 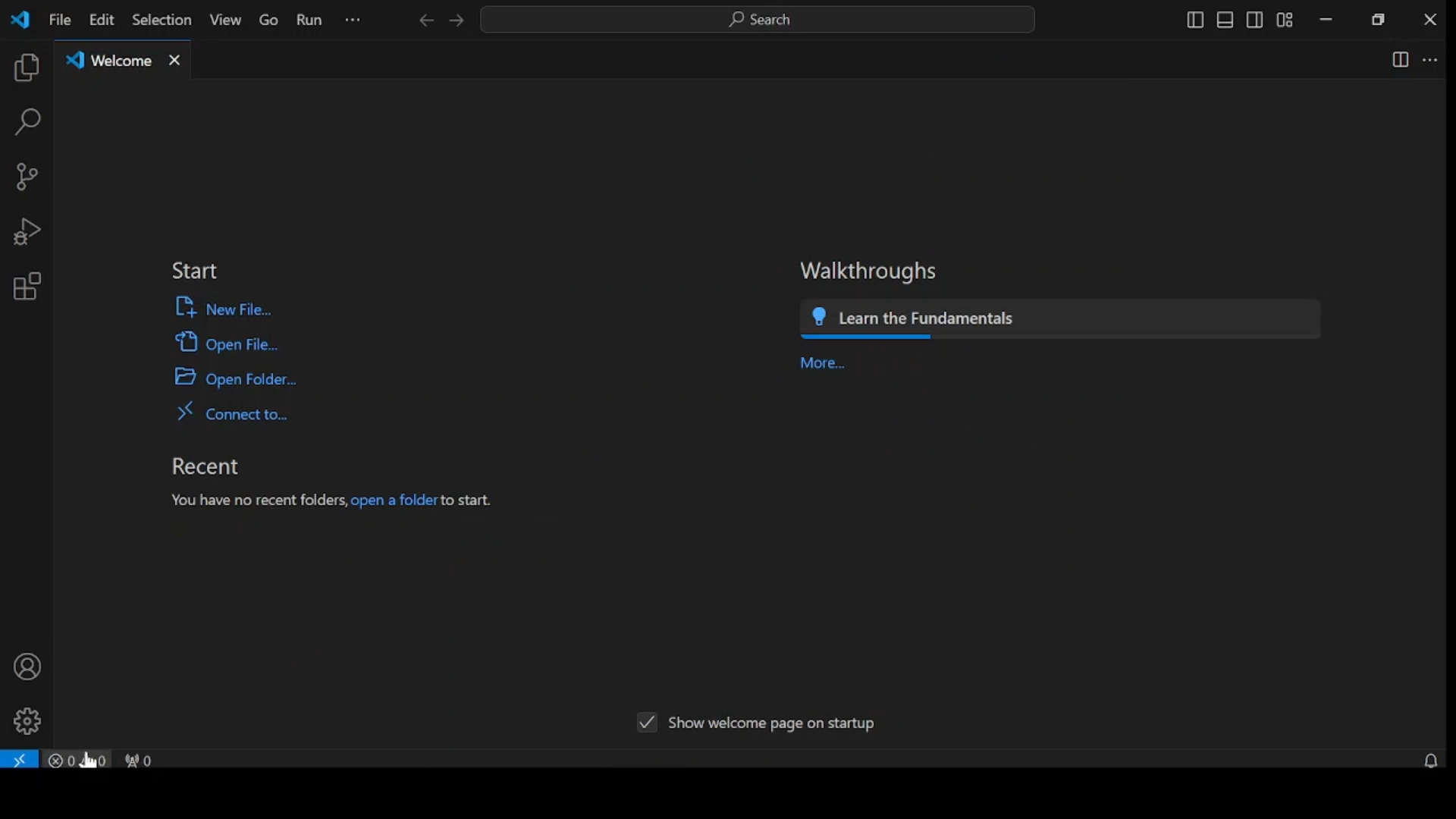 I want to click on vscode logo, so click(x=18, y=20).